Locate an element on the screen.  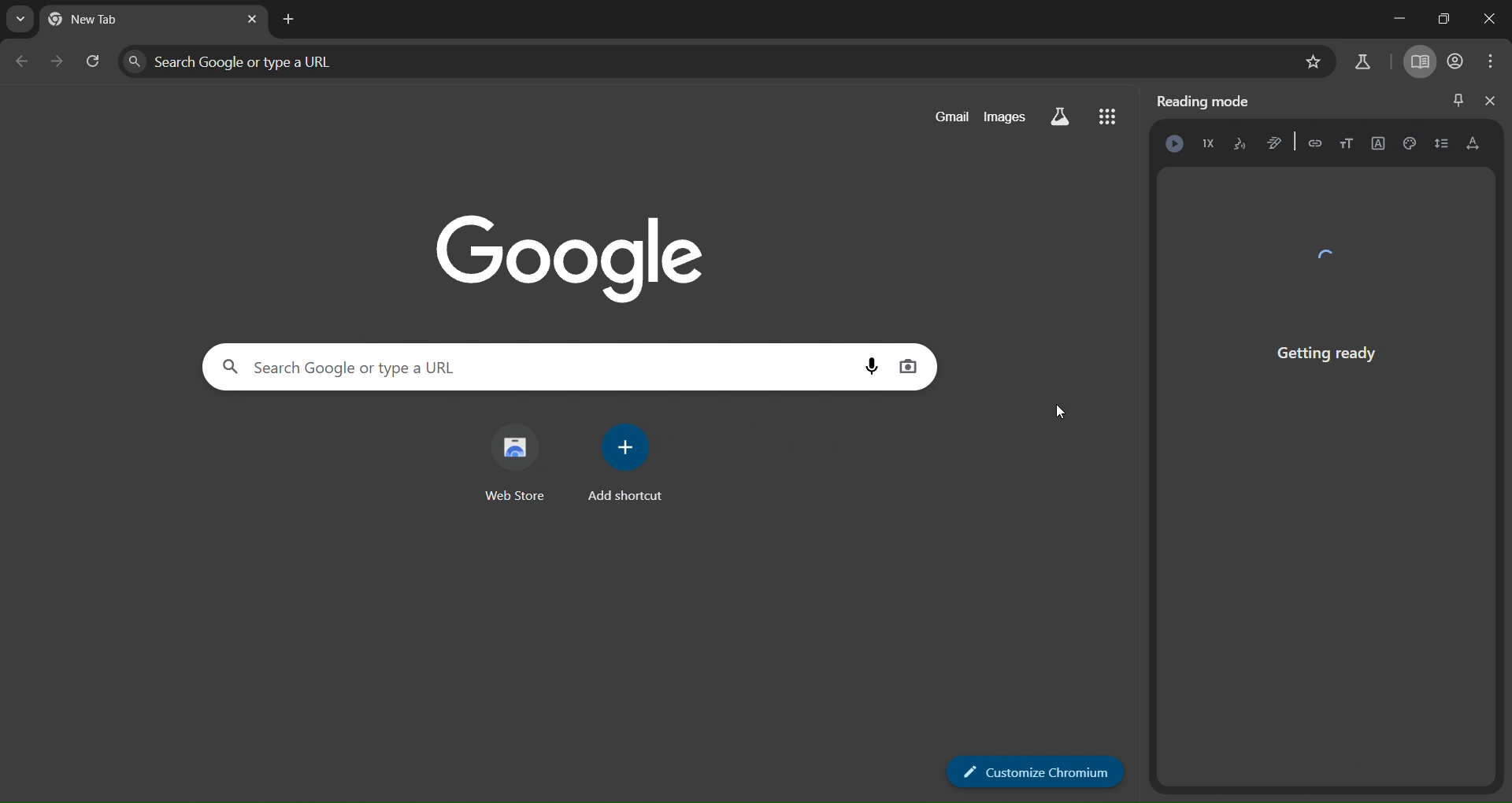
new tab is located at coordinates (287, 19).